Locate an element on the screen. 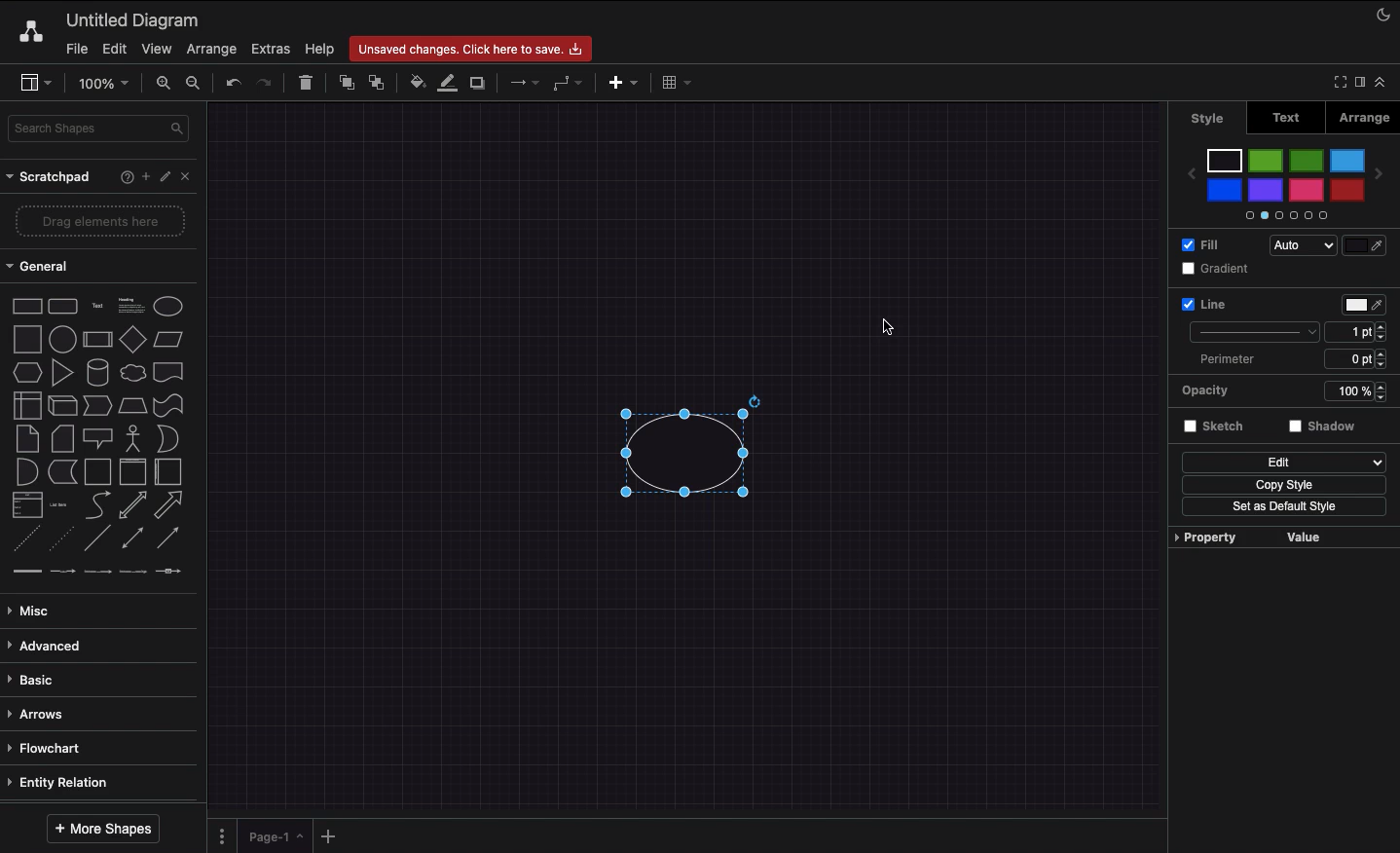  Help is located at coordinates (123, 176).